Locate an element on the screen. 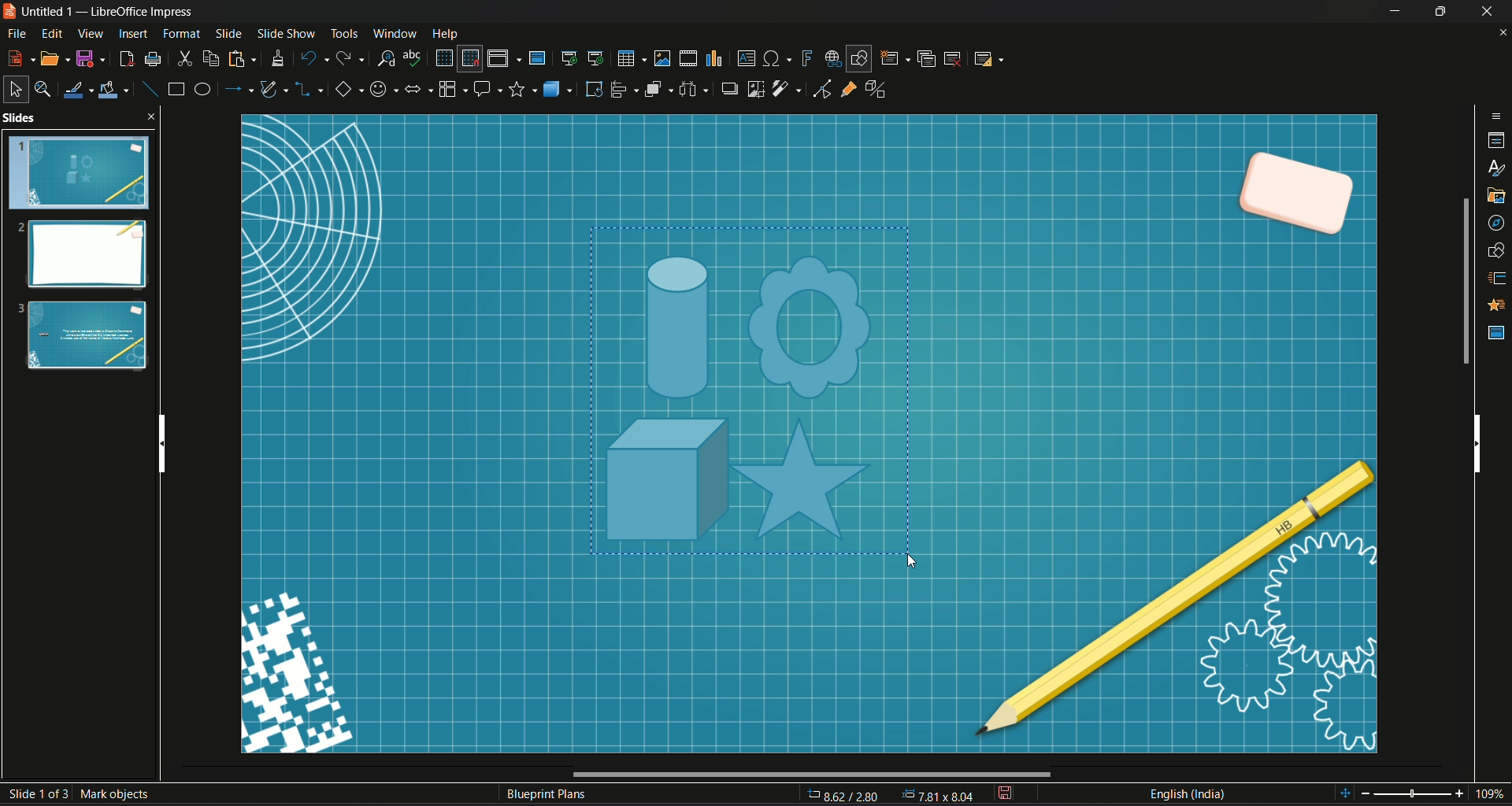 Image resolution: width=1512 pixels, height=806 pixels. save is located at coordinates (1004, 794).